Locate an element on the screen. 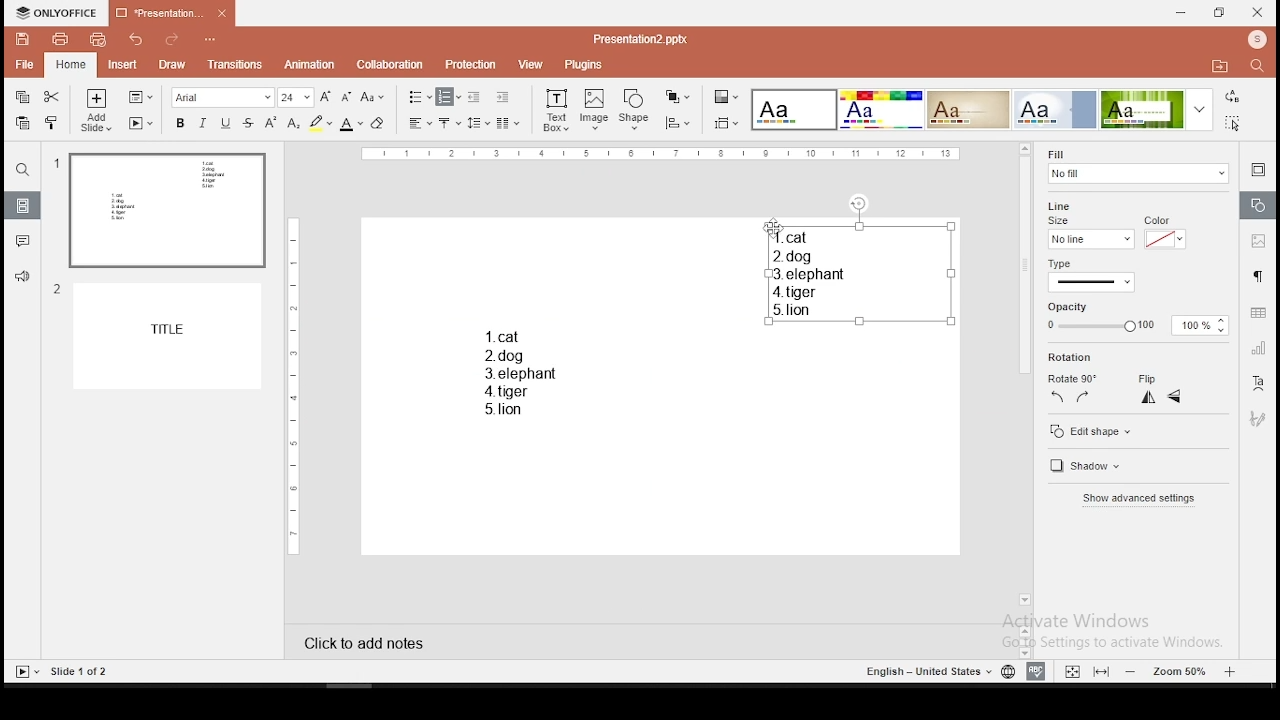 The width and height of the screenshot is (1280, 720). undo is located at coordinates (137, 40).